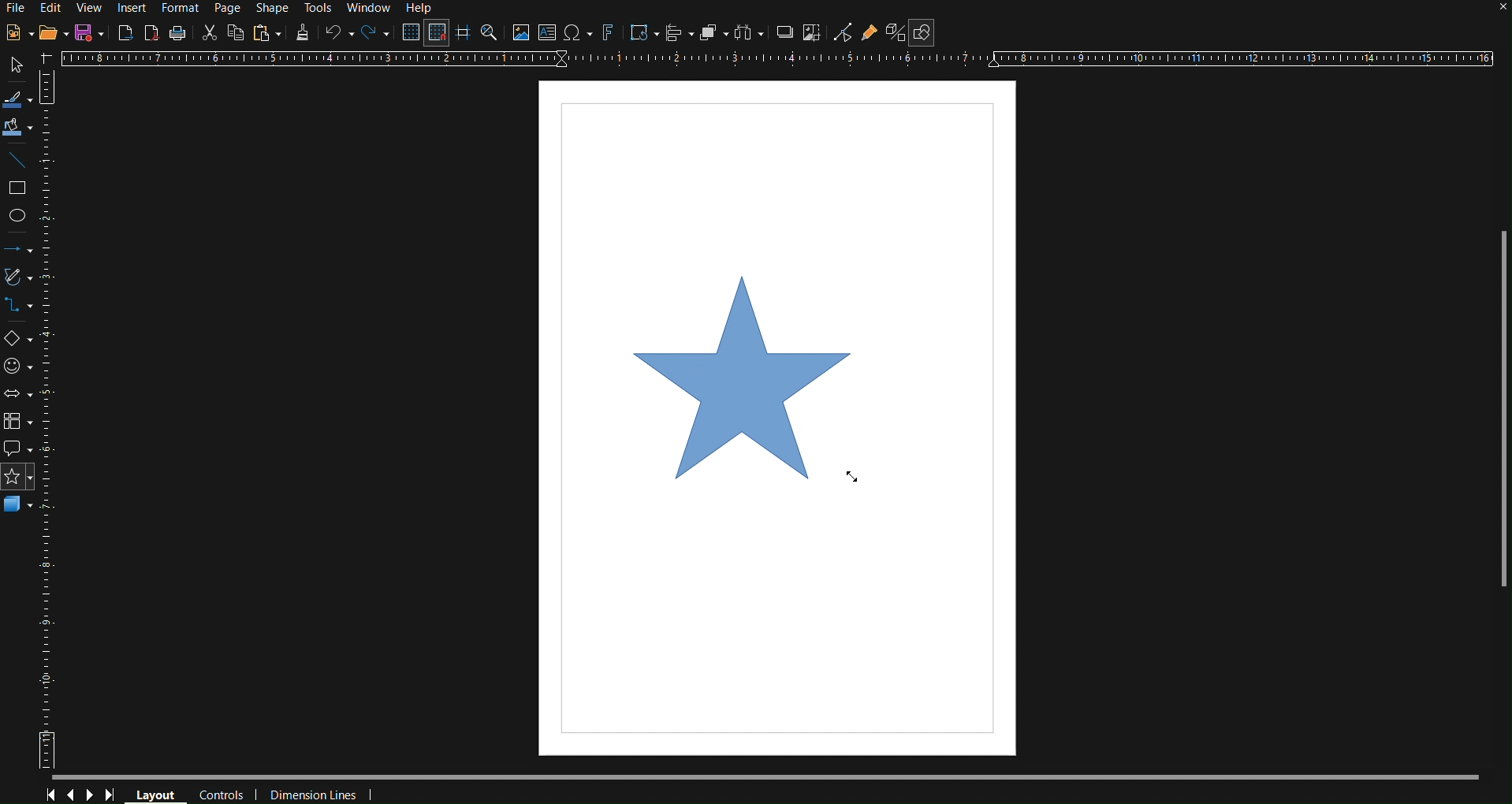 Image resolution: width=1512 pixels, height=804 pixels. I want to click on Shape, so click(267, 7).